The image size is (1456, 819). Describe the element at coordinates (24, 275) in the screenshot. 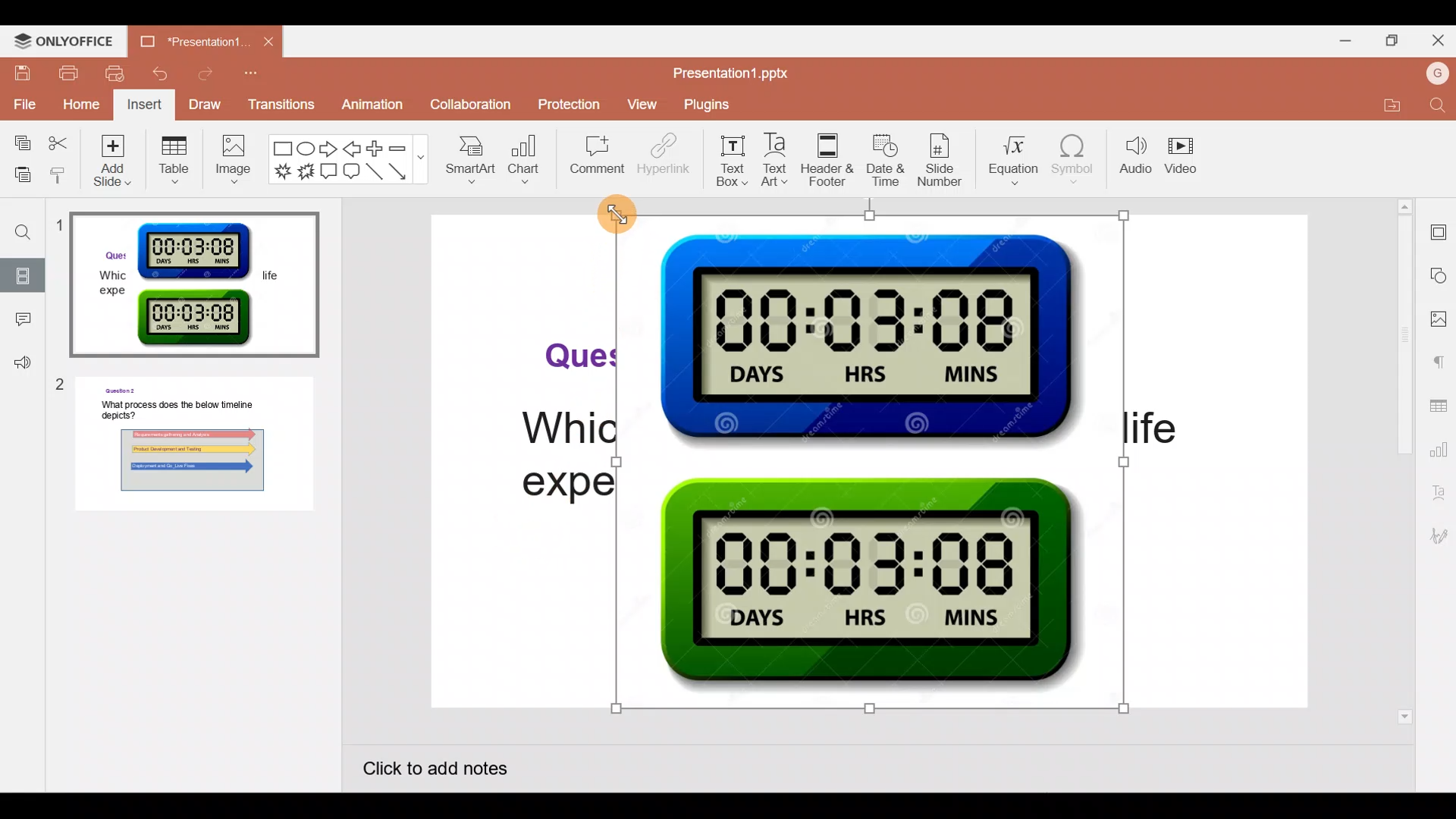

I see `Slides` at that location.